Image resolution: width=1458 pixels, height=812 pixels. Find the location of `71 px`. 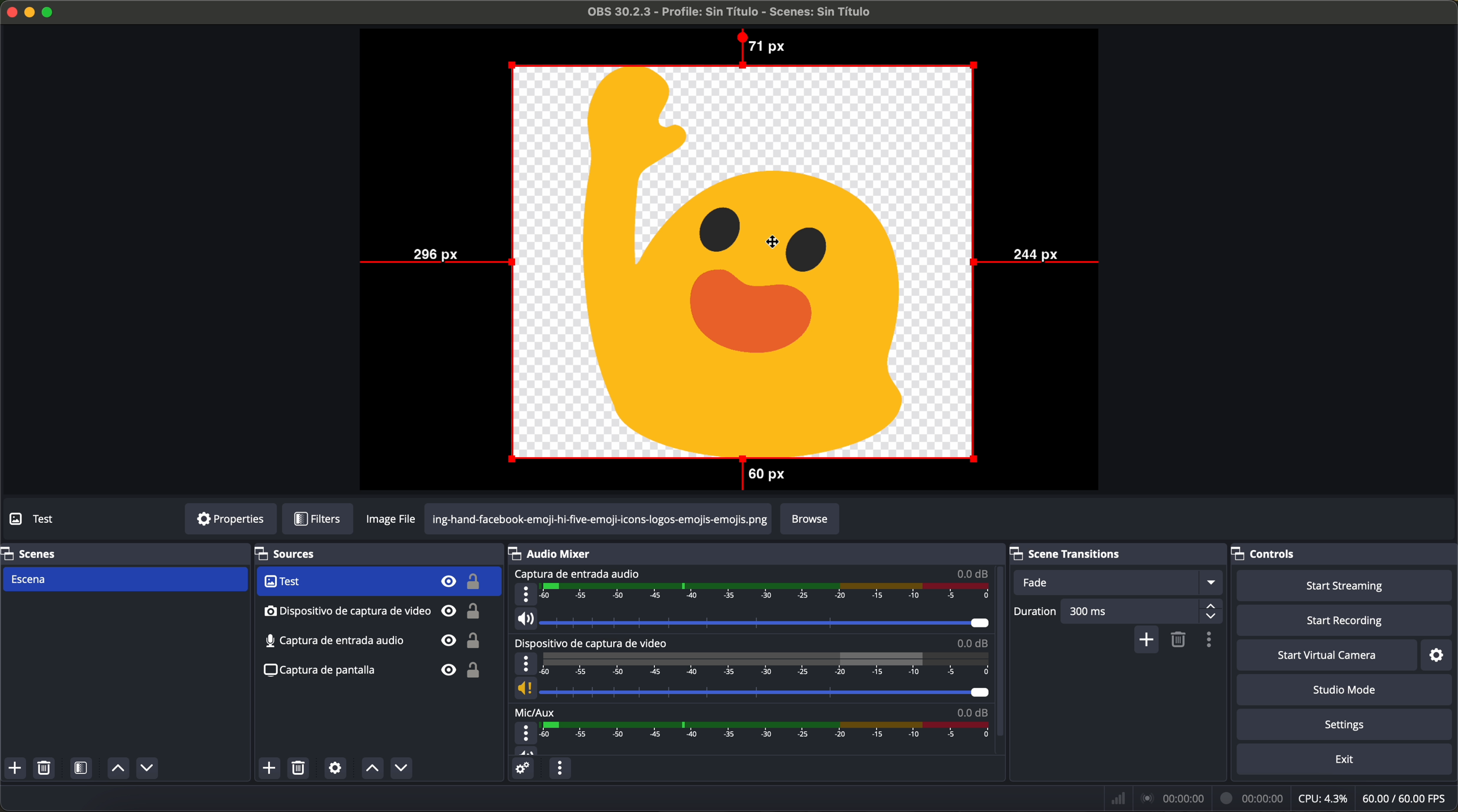

71 px is located at coordinates (760, 46).